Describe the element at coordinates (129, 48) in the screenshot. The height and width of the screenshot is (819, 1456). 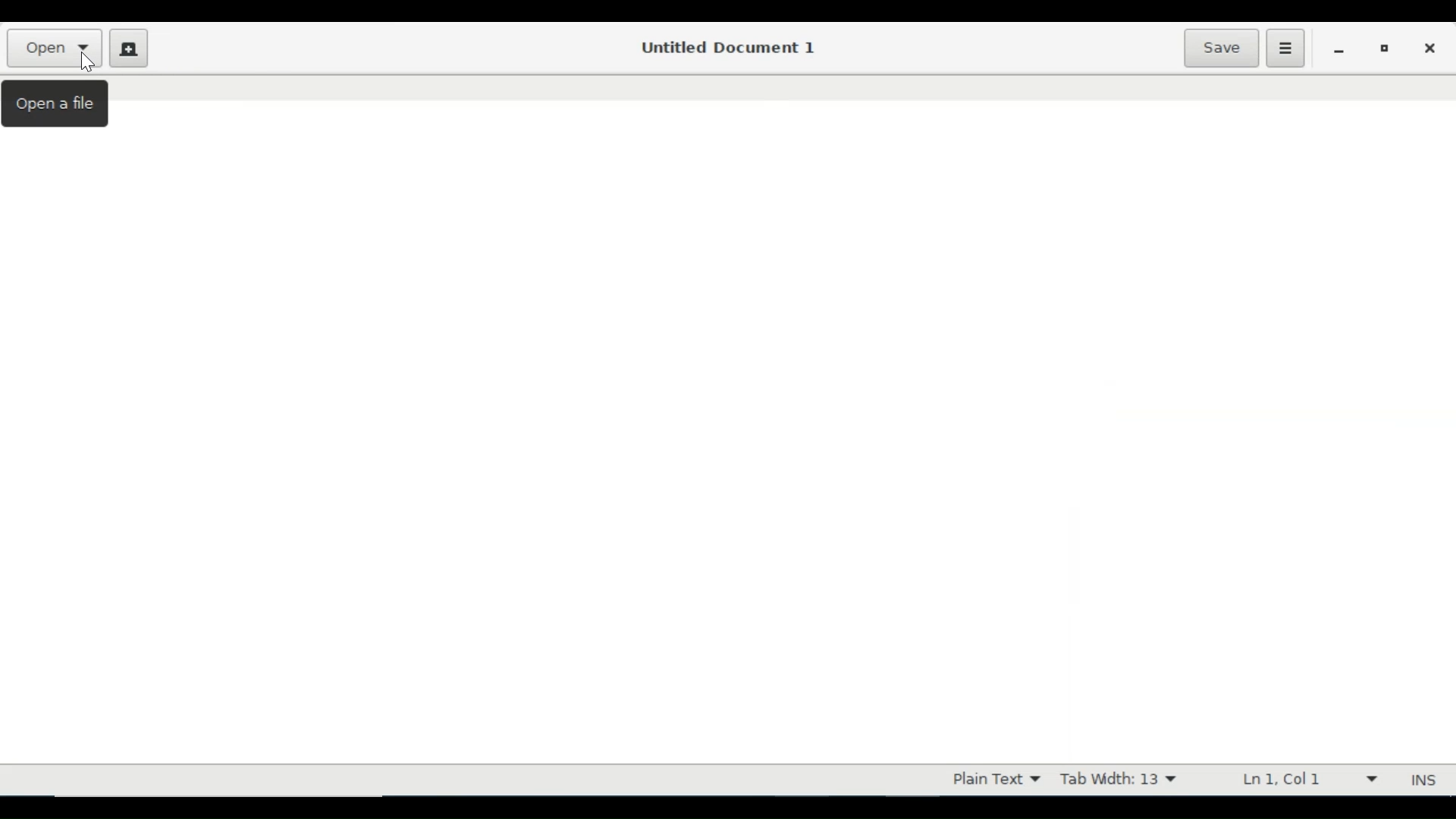
I see `Create New` at that location.